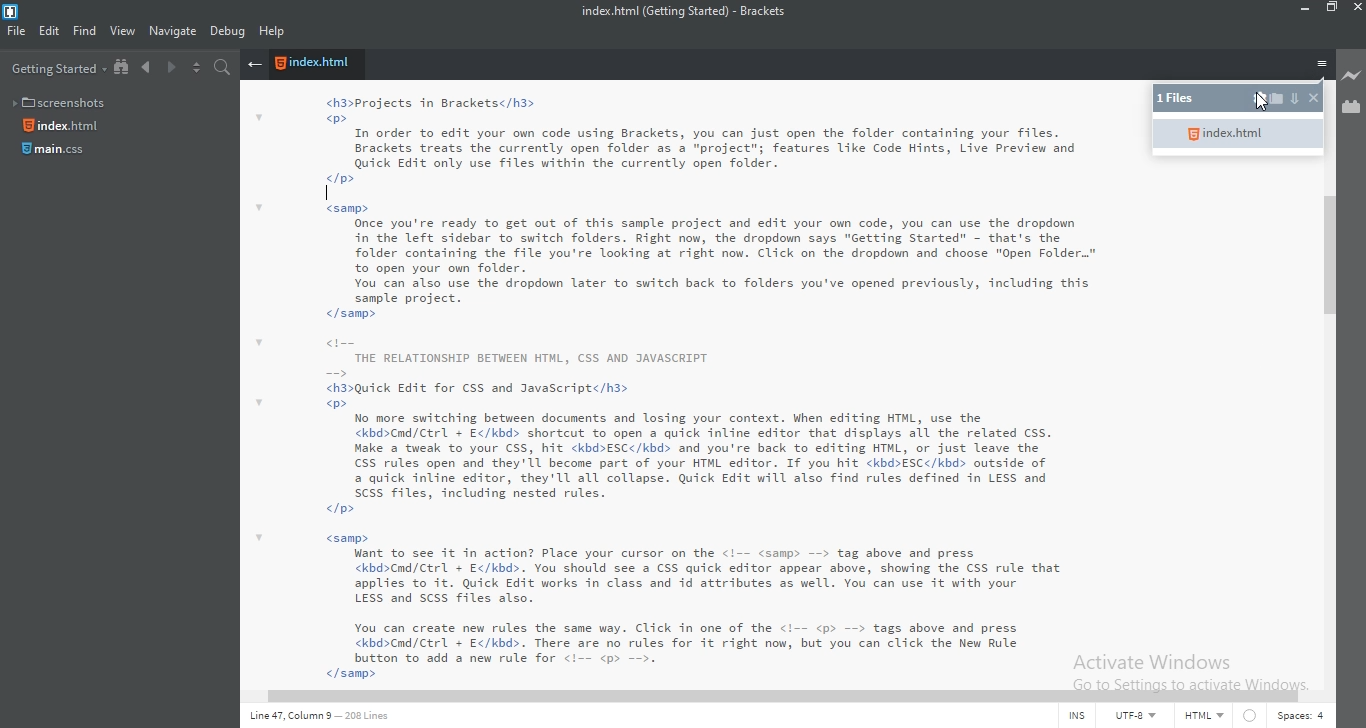  Describe the element at coordinates (228, 33) in the screenshot. I see `Debug` at that location.